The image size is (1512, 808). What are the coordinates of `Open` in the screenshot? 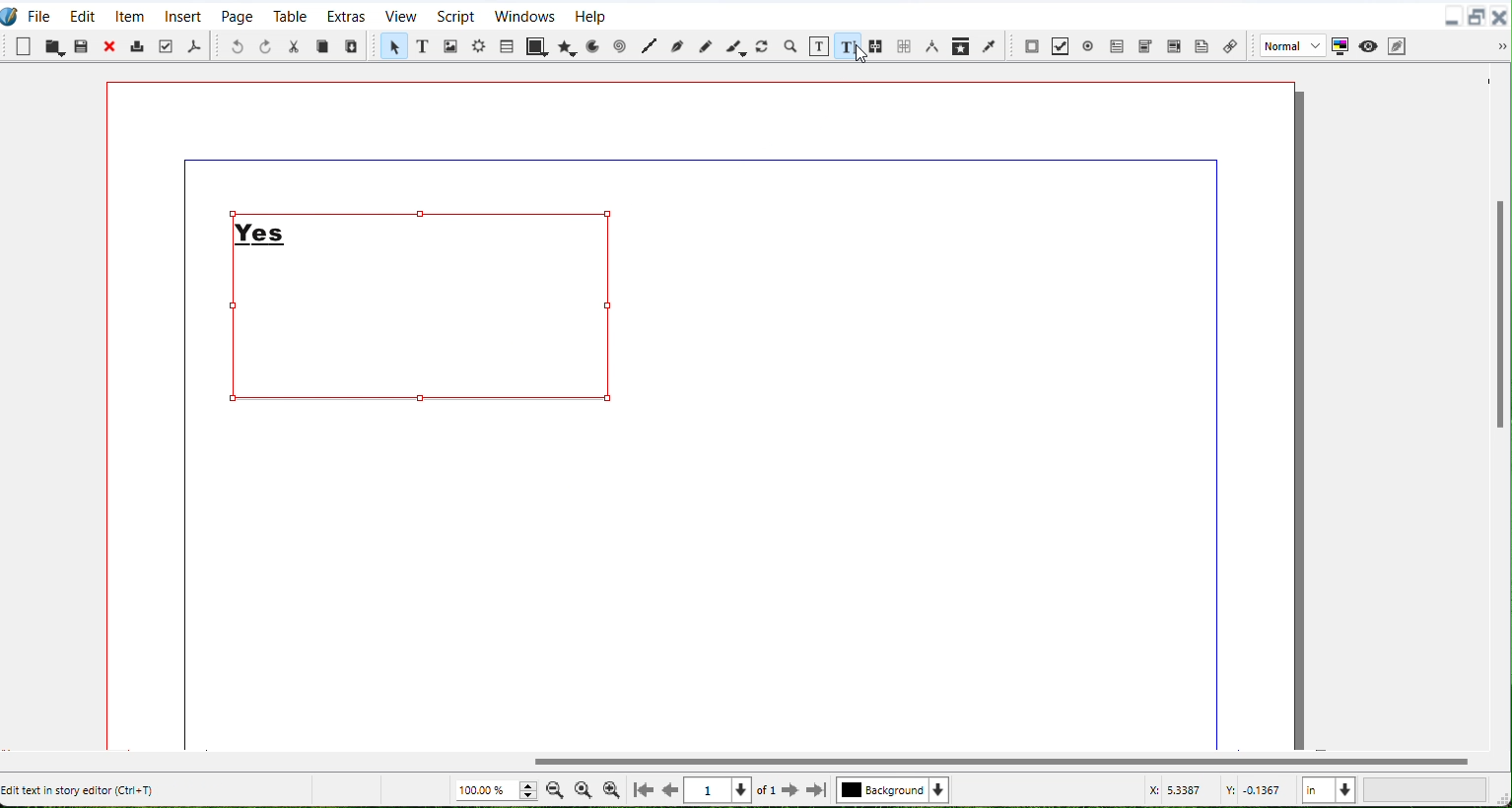 It's located at (53, 46).